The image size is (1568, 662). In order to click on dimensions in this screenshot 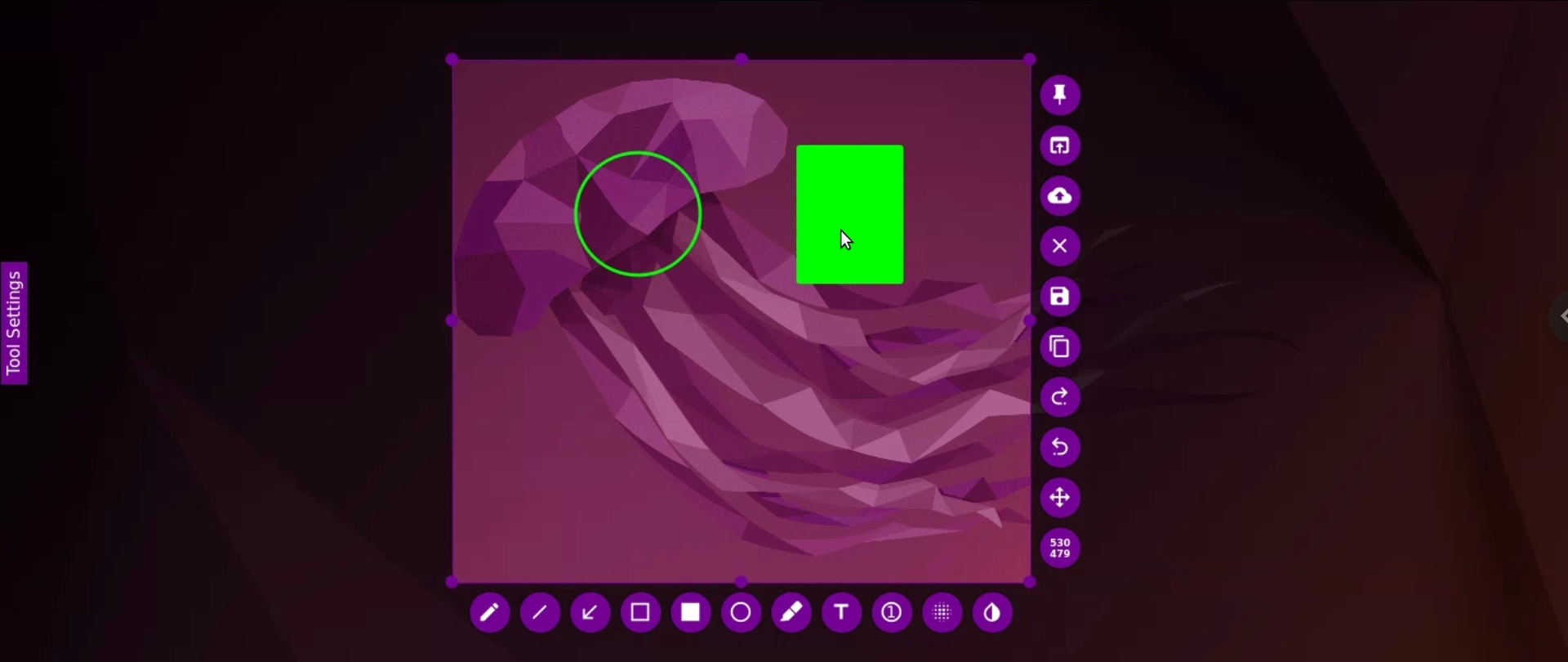, I will do `click(1063, 548)`.